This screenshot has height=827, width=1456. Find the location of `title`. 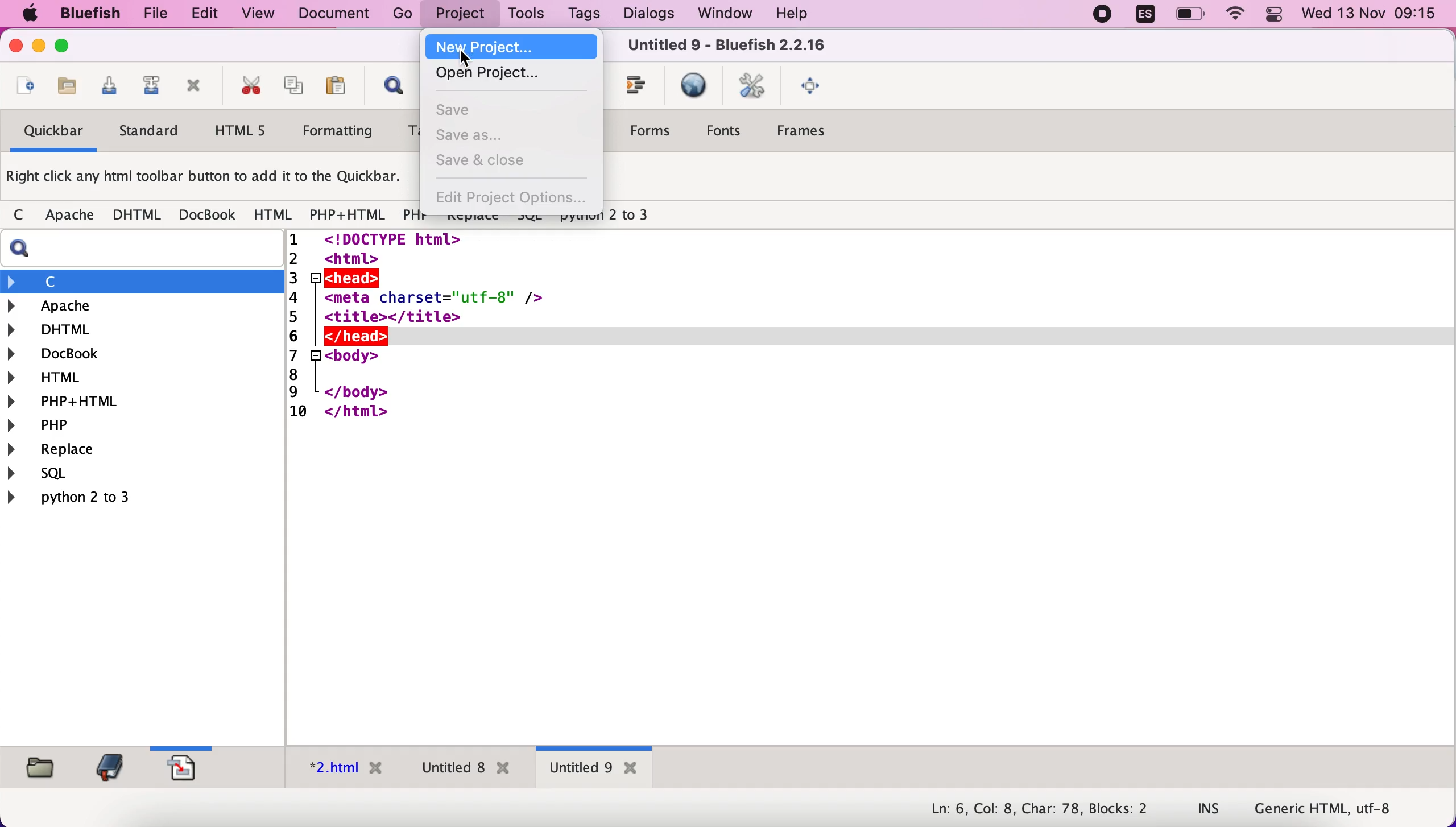

title is located at coordinates (725, 48).